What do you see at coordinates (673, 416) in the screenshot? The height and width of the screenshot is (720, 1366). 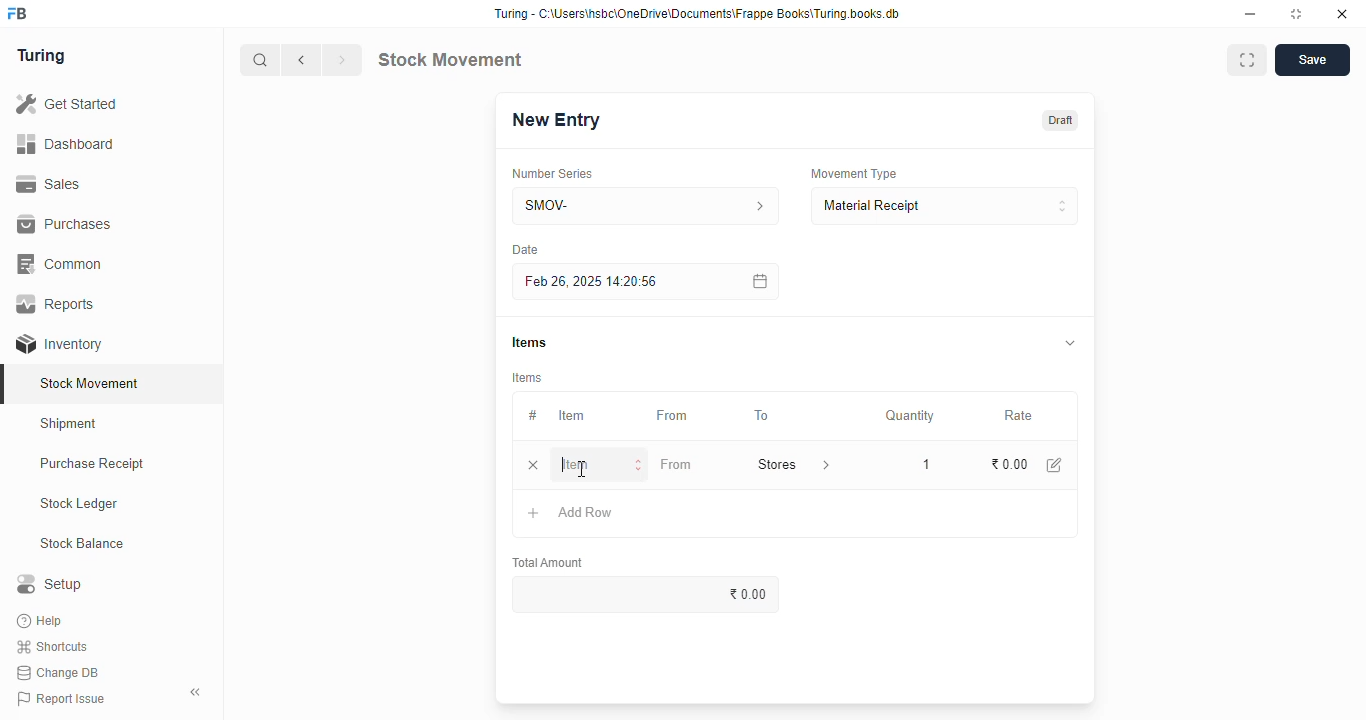 I see `from` at bounding box center [673, 416].